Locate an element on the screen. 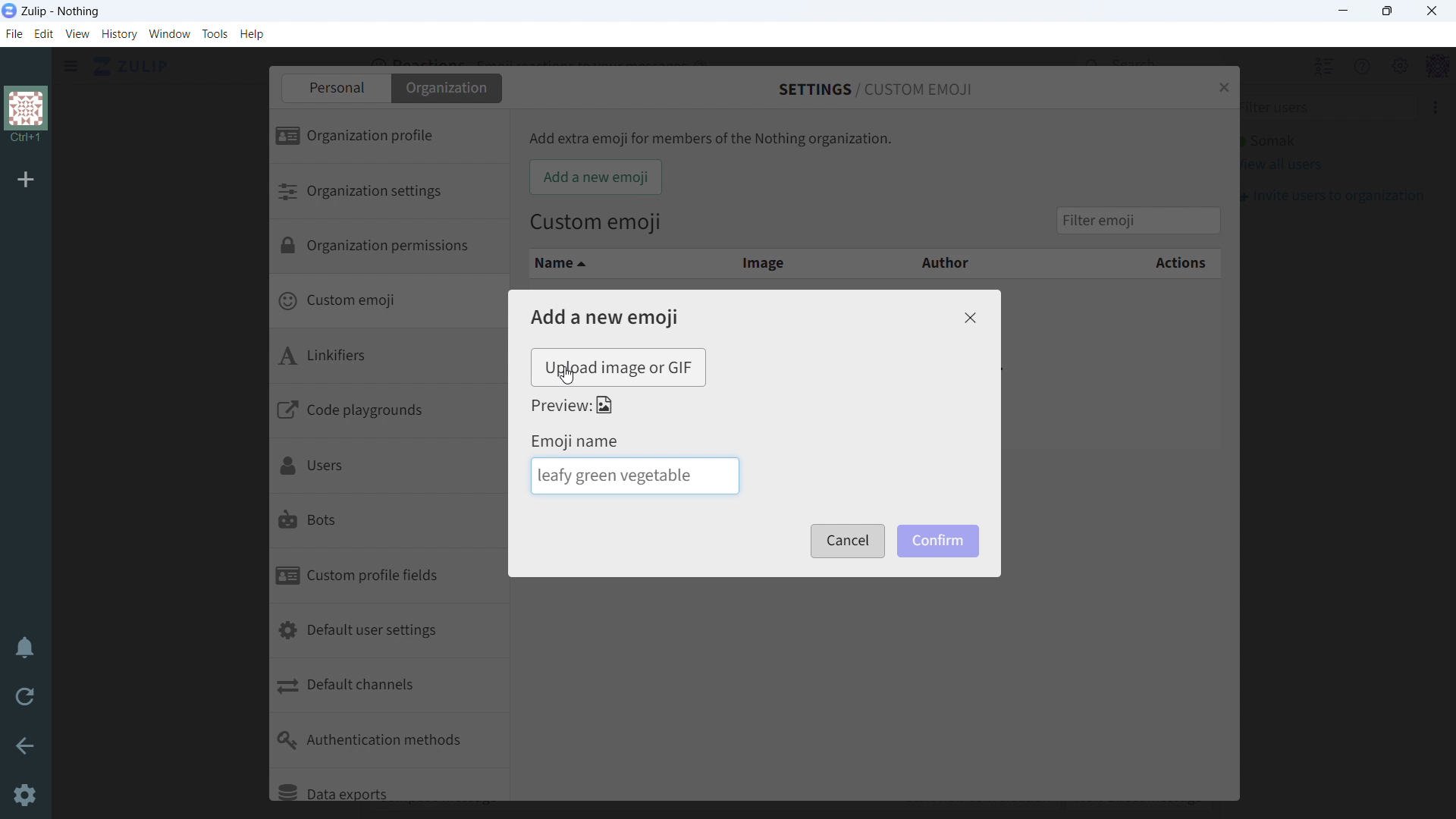 The width and height of the screenshot is (1456, 819). active user is located at coordinates (1267, 141).